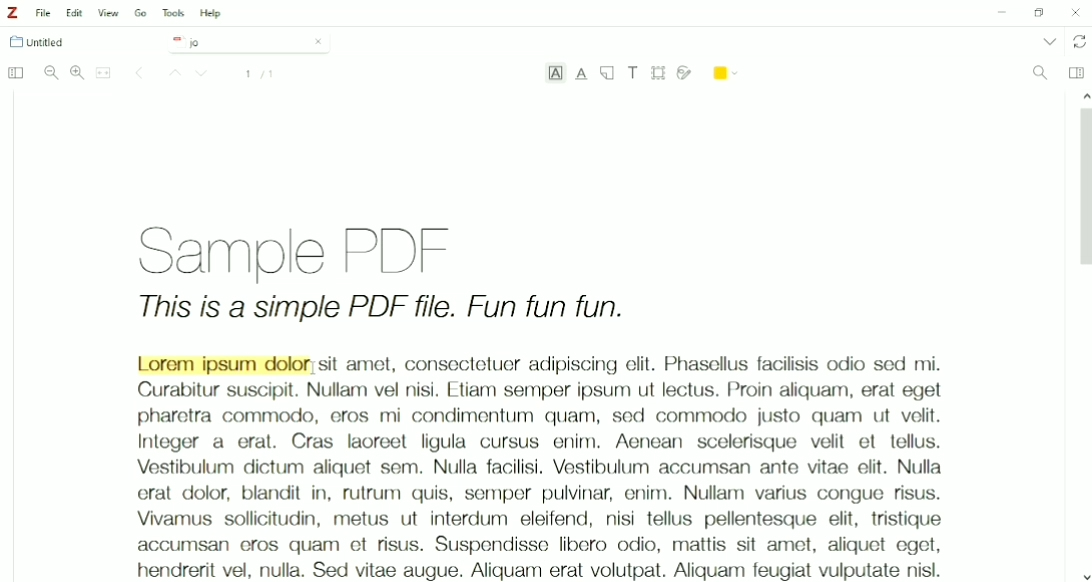 The width and height of the screenshot is (1092, 582). I want to click on Restore down, so click(1038, 13).